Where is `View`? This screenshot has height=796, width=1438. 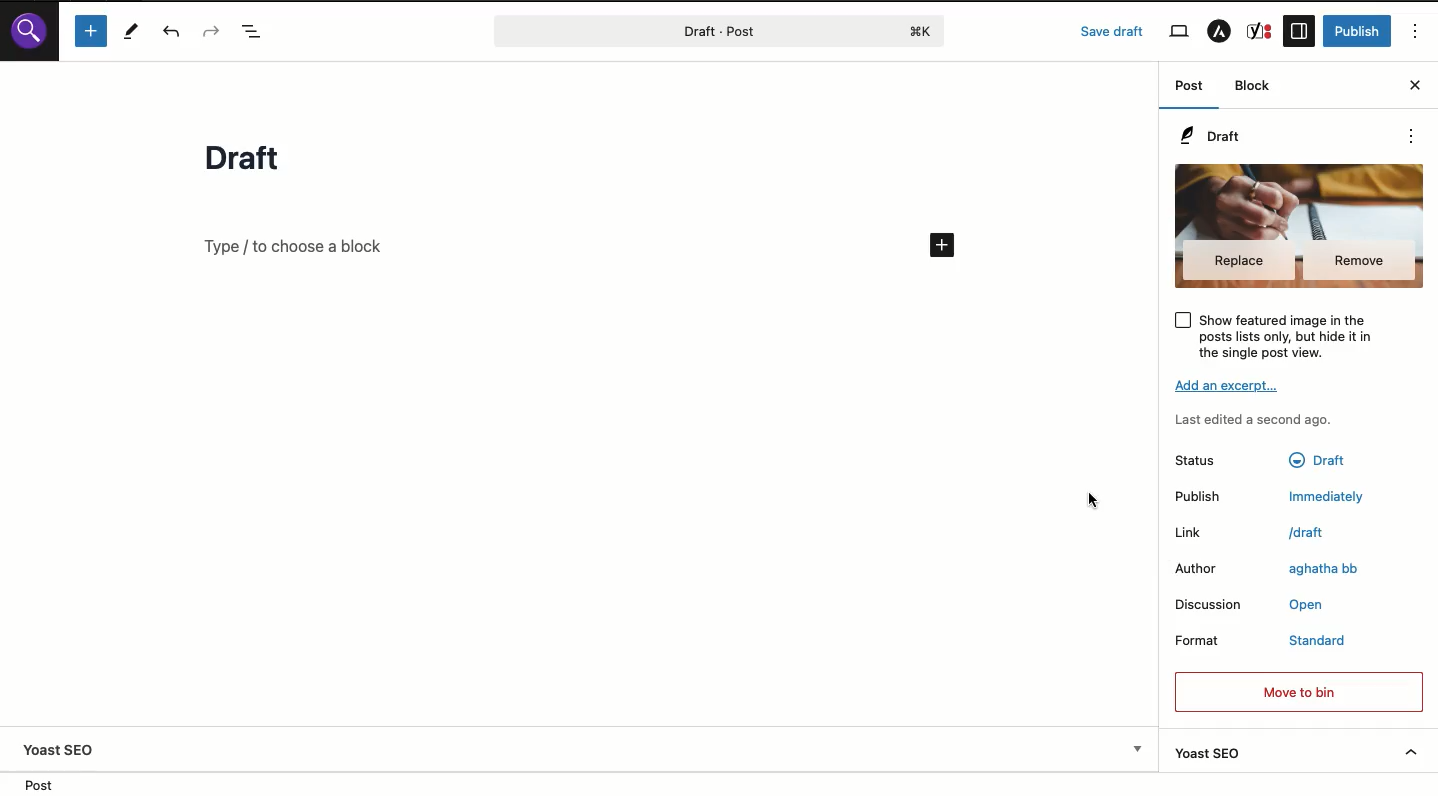
View is located at coordinates (1177, 32).